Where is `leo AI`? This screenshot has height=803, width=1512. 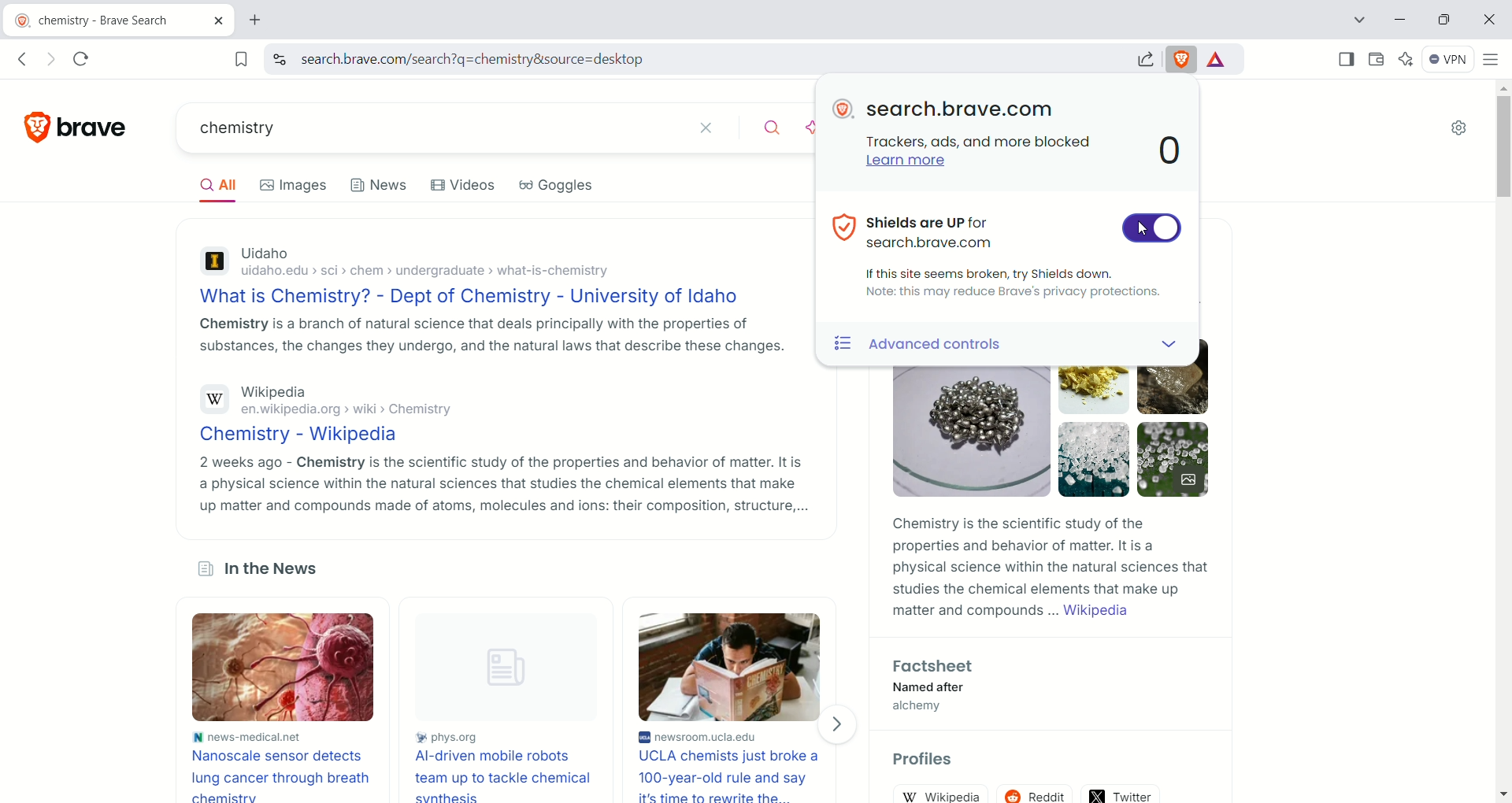
leo AI is located at coordinates (1409, 57).